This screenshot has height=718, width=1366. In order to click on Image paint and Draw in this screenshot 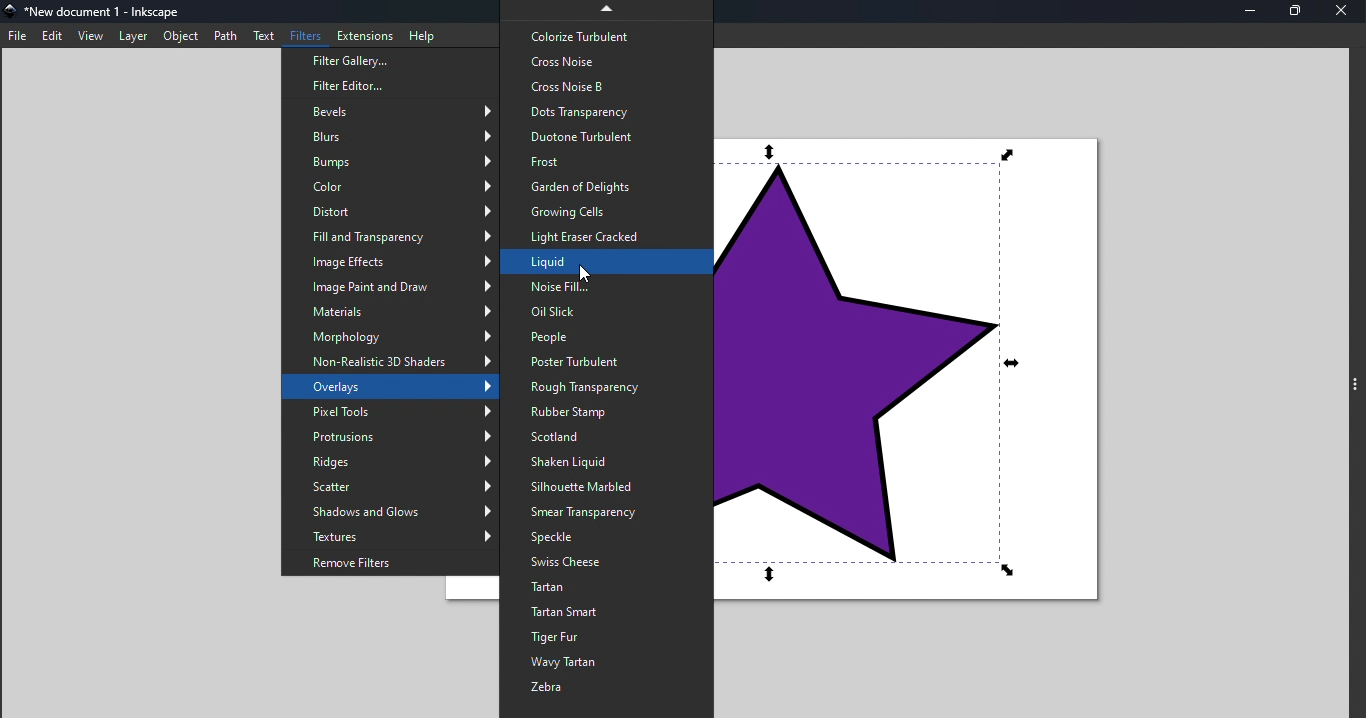, I will do `click(394, 288)`.